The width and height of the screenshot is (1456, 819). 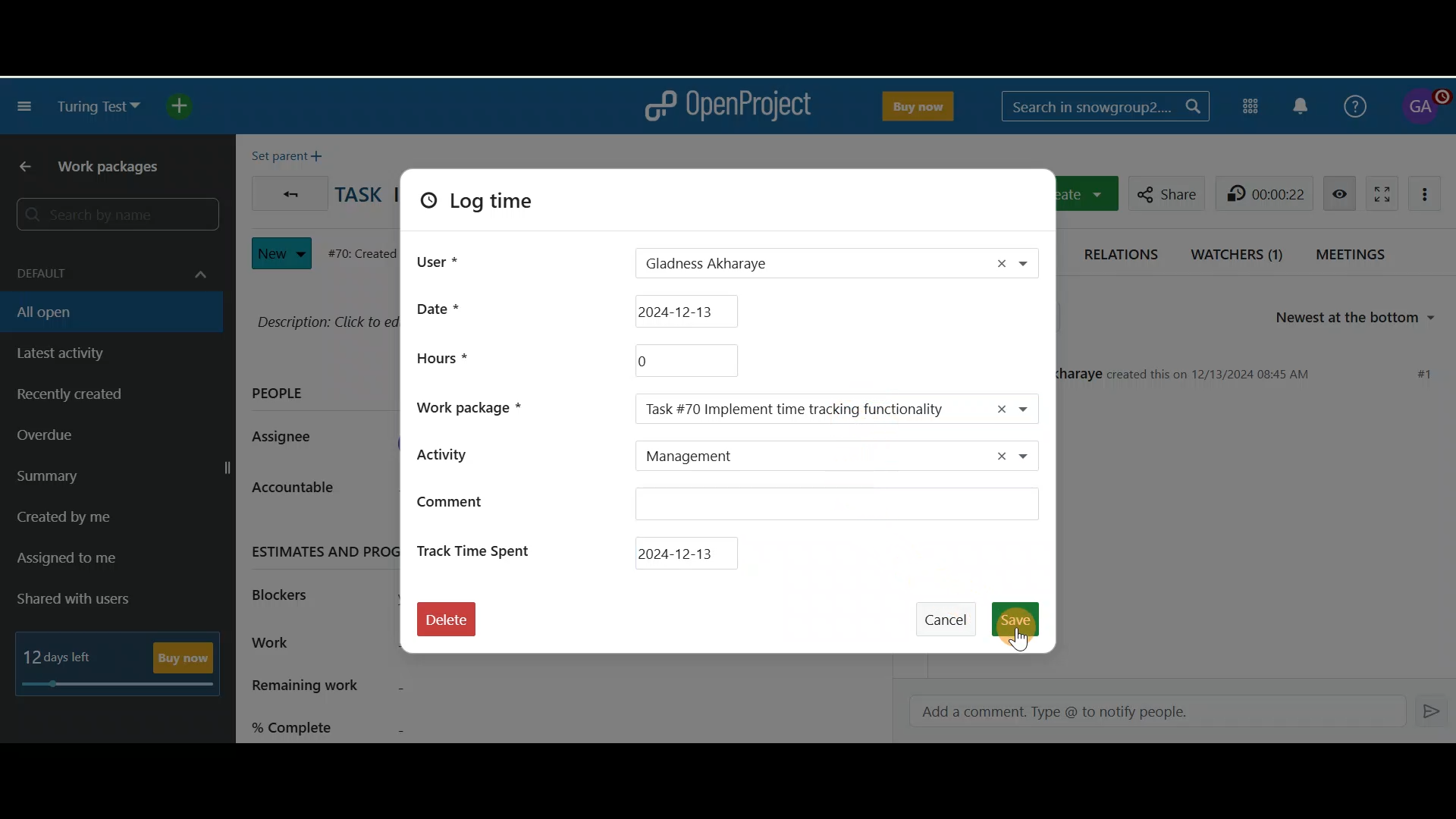 I want to click on Recently created, so click(x=101, y=398).